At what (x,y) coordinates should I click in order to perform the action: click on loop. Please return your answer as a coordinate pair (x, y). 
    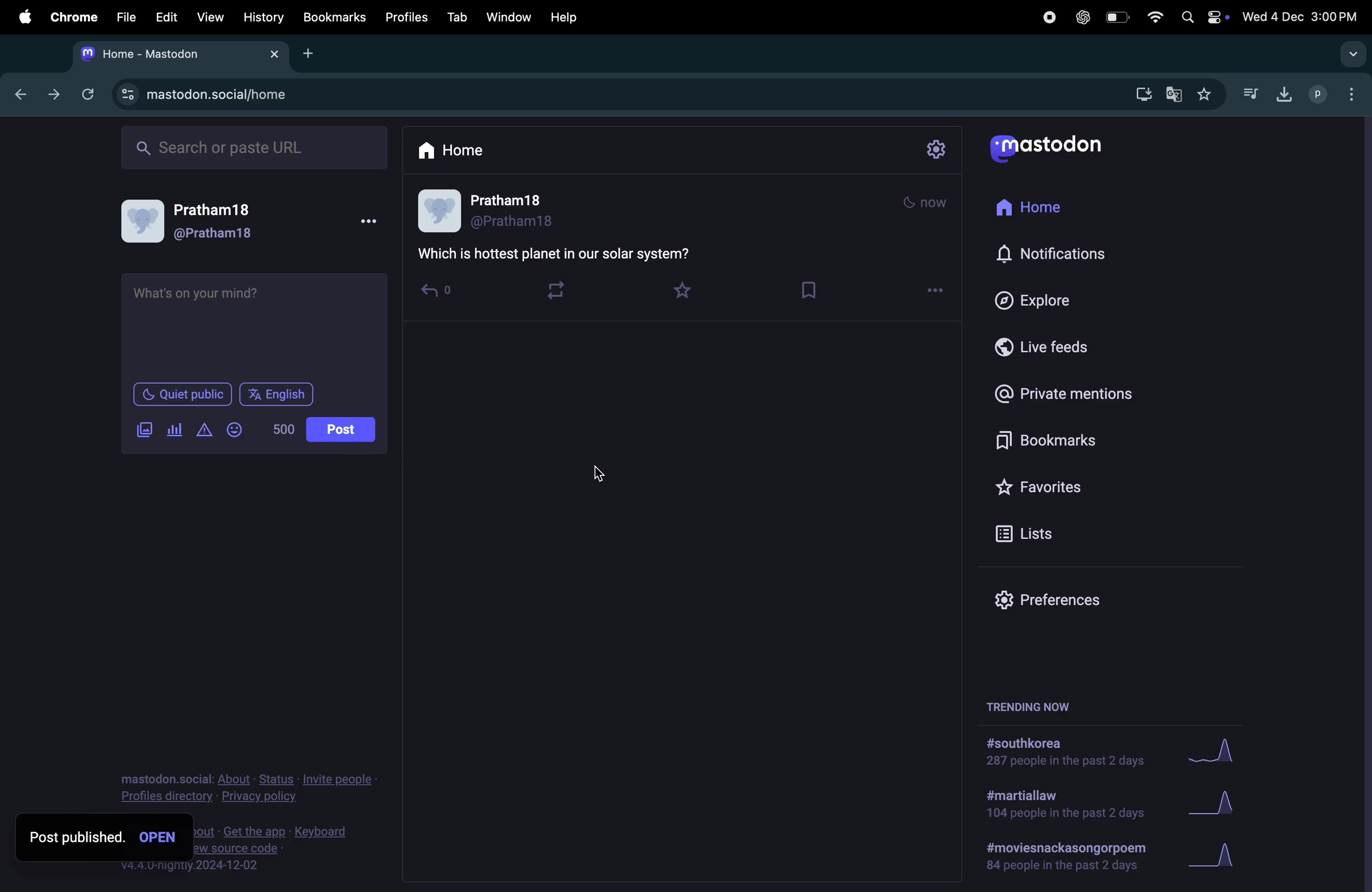
    Looking at the image, I should click on (561, 293).